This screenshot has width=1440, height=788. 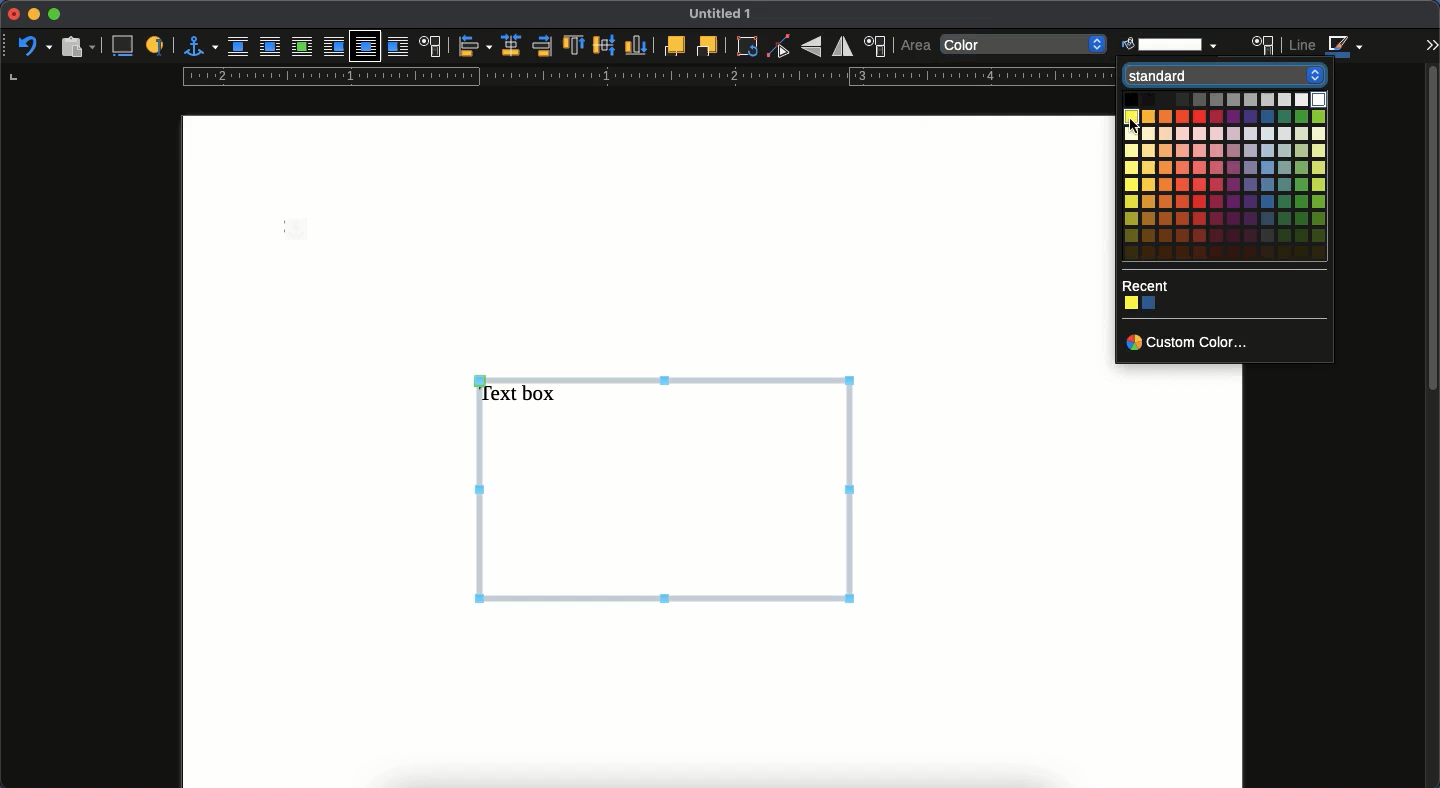 What do you see at coordinates (811, 48) in the screenshot?
I see `rotate vertically` at bounding box center [811, 48].